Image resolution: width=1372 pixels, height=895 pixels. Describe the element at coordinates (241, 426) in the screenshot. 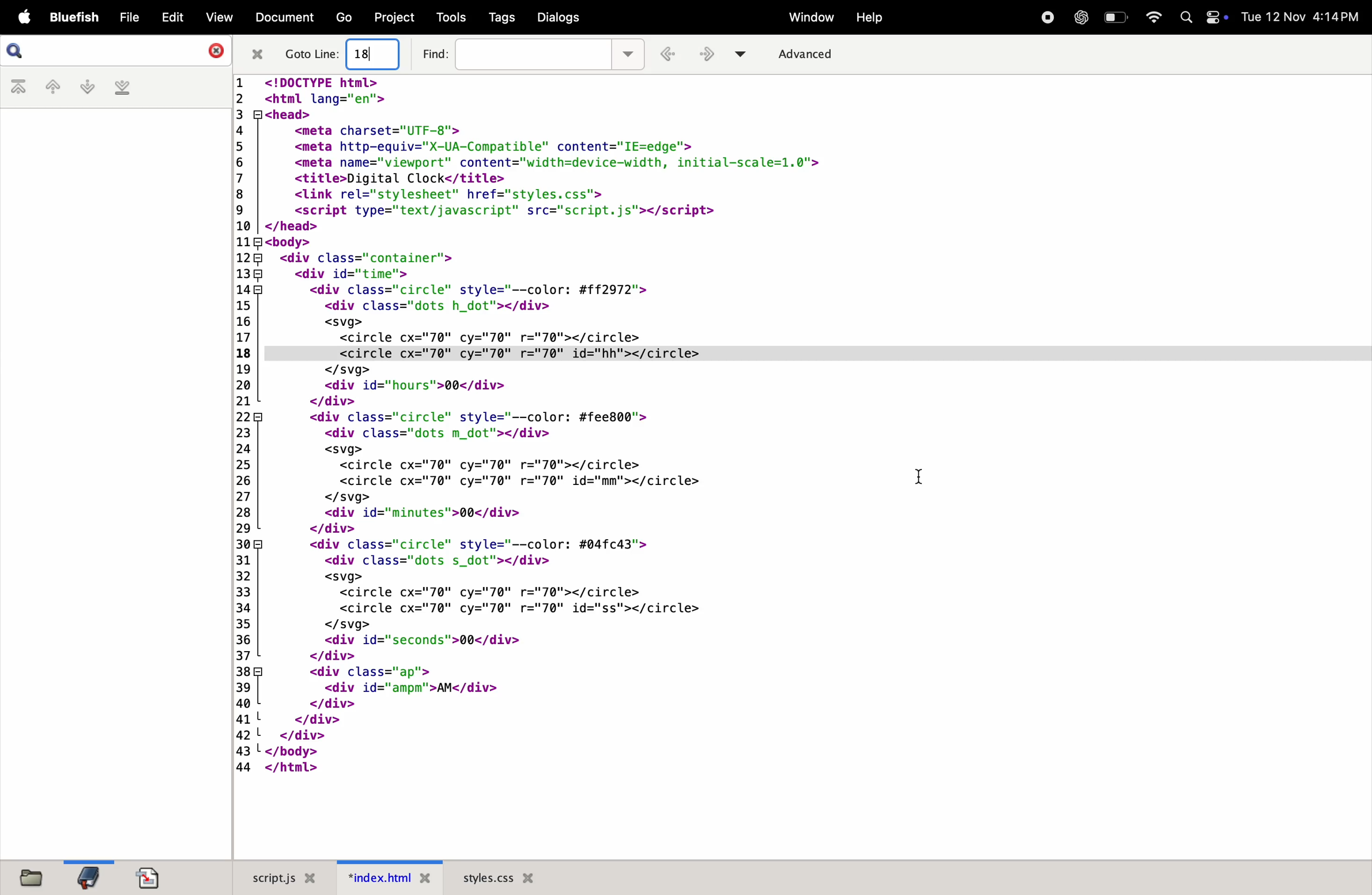

I see `LINE NUMBER` at that location.